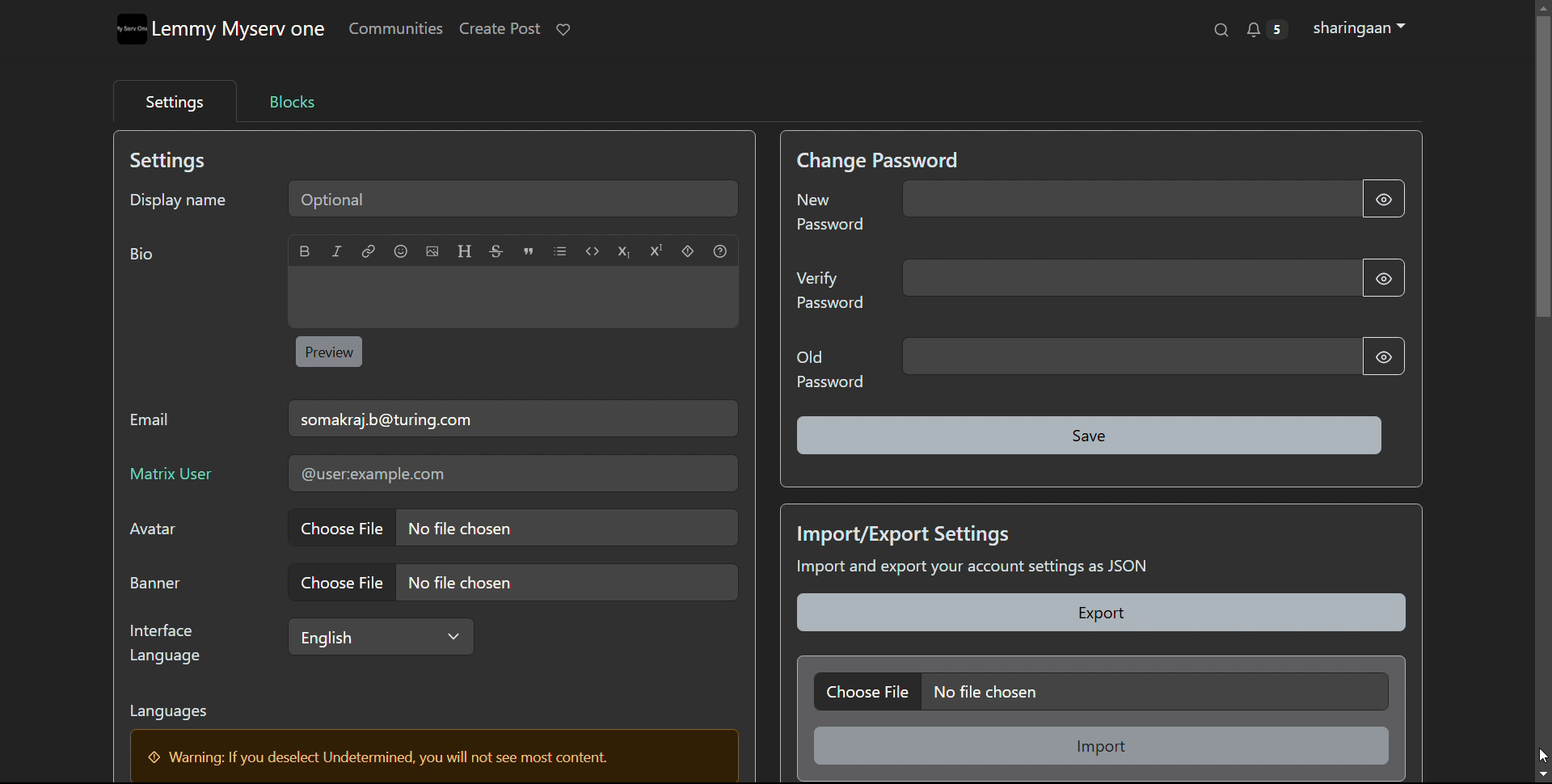  What do you see at coordinates (511, 583) in the screenshot?
I see `upload image for banner` at bounding box center [511, 583].